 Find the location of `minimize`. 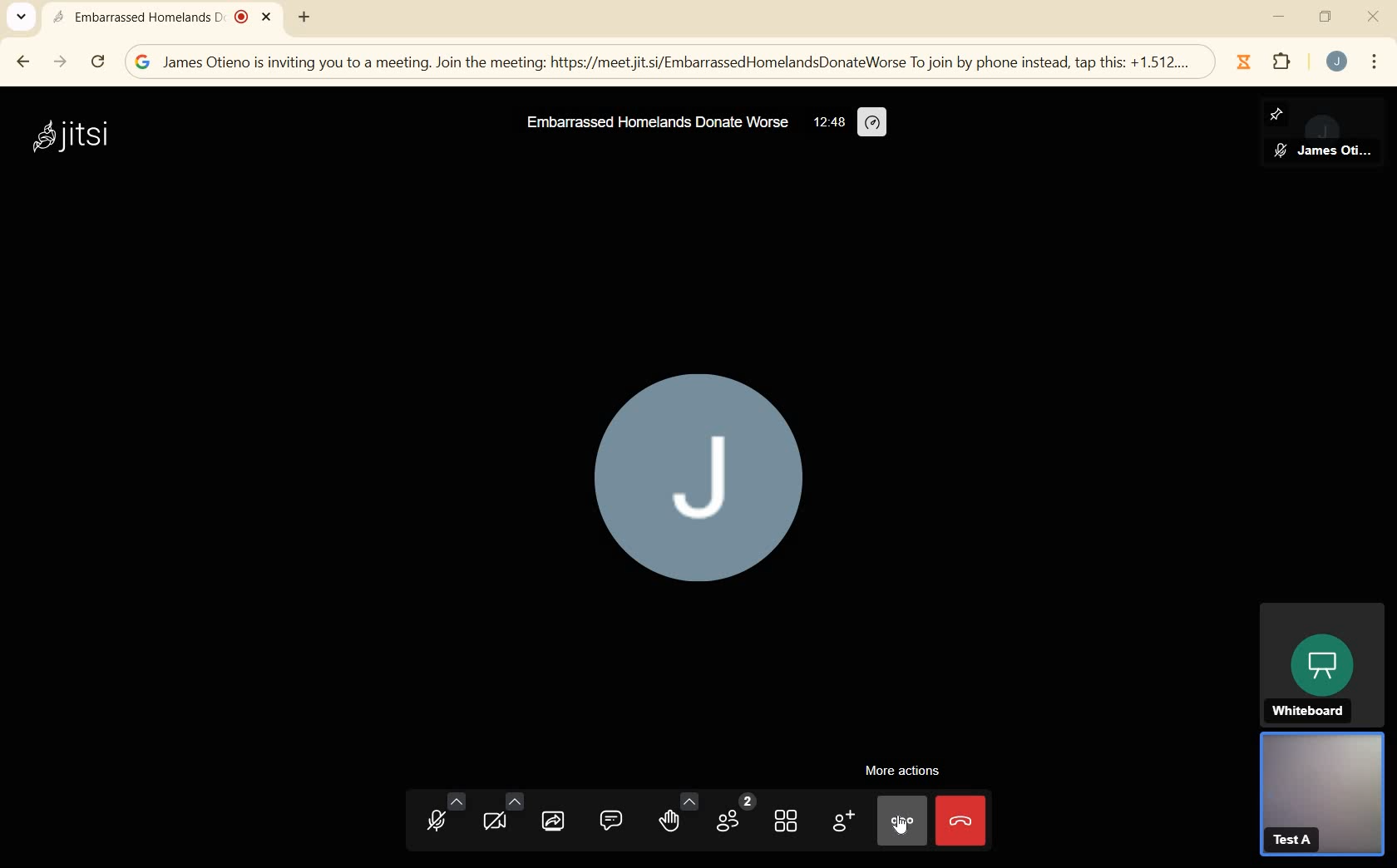

minimize is located at coordinates (1278, 16).